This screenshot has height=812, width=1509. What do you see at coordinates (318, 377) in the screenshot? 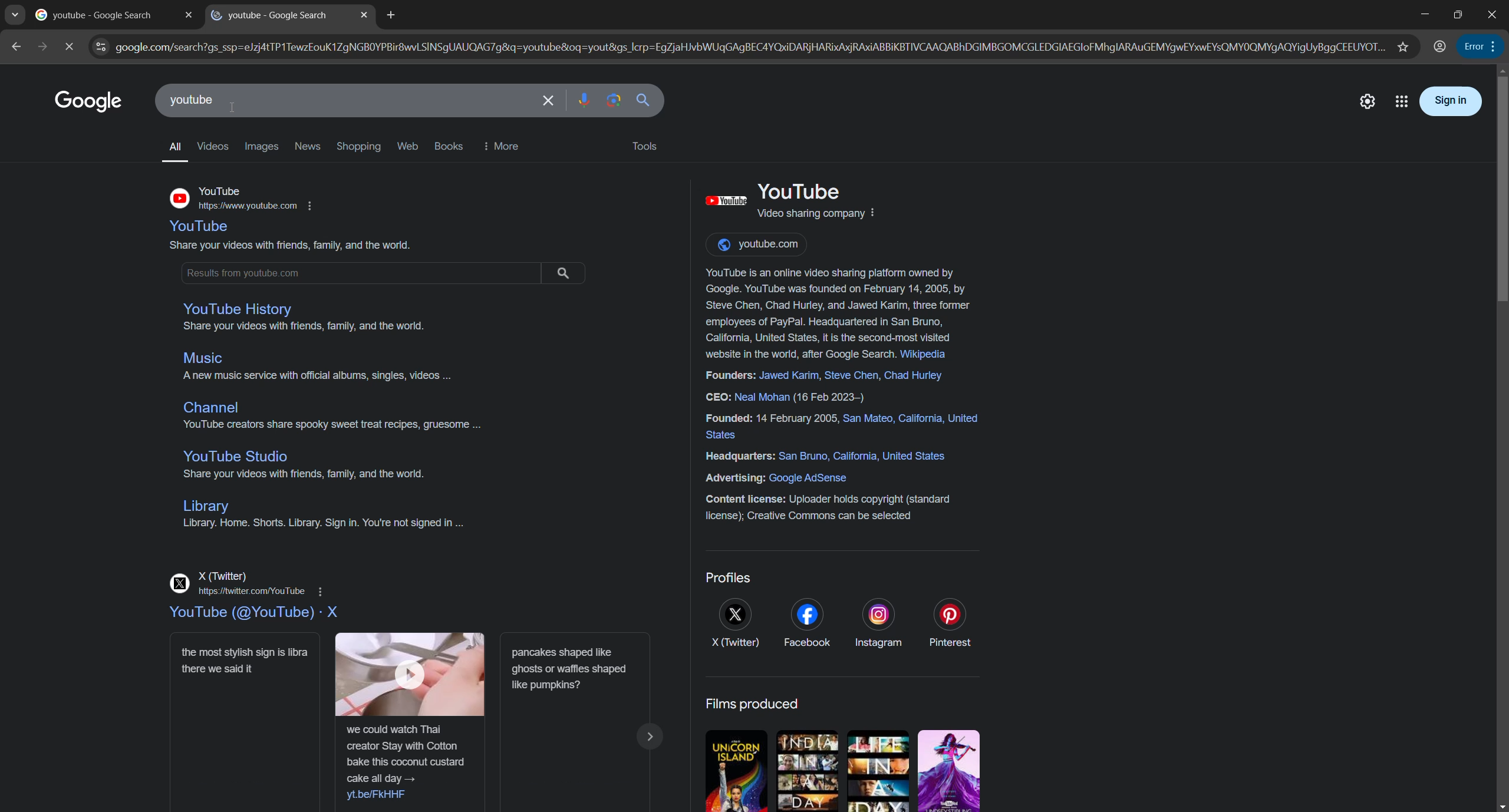
I see `A new music service with official albums,singles,videos..` at bounding box center [318, 377].